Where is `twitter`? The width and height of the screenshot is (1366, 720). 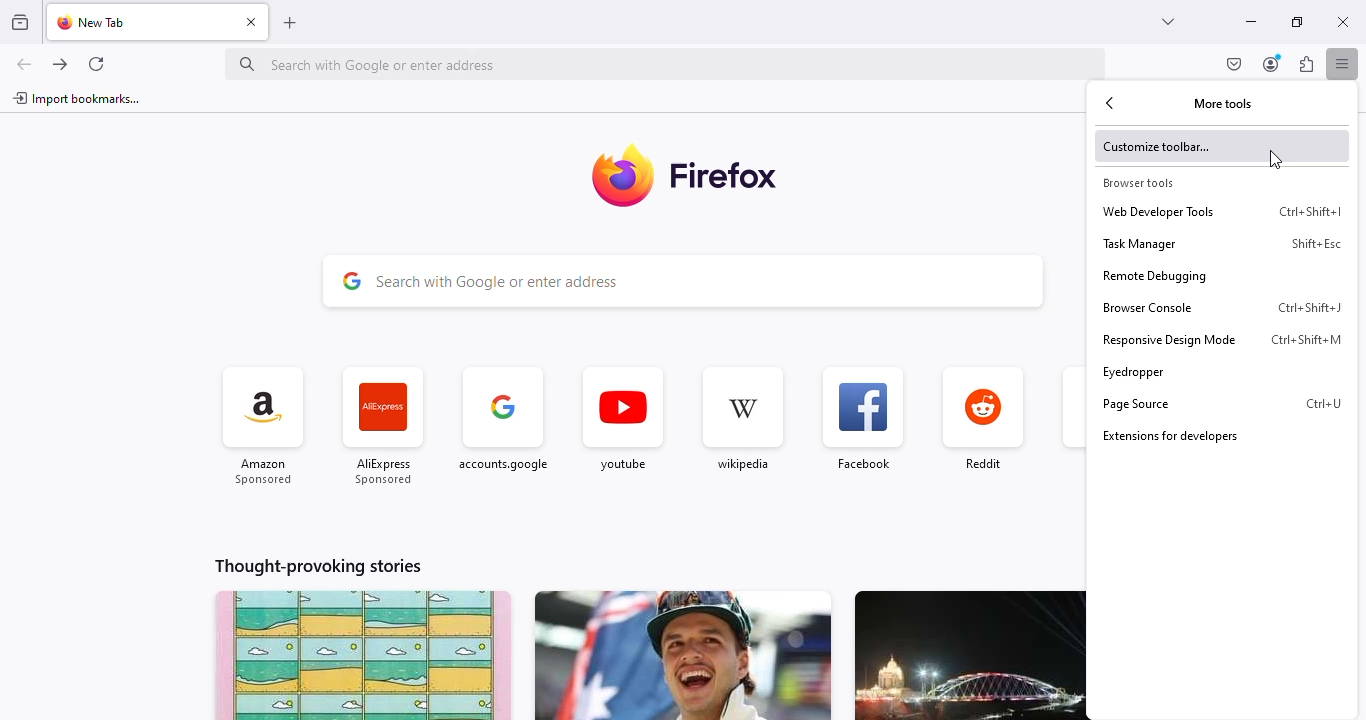
twitter is located at coordinates (1071, 423).